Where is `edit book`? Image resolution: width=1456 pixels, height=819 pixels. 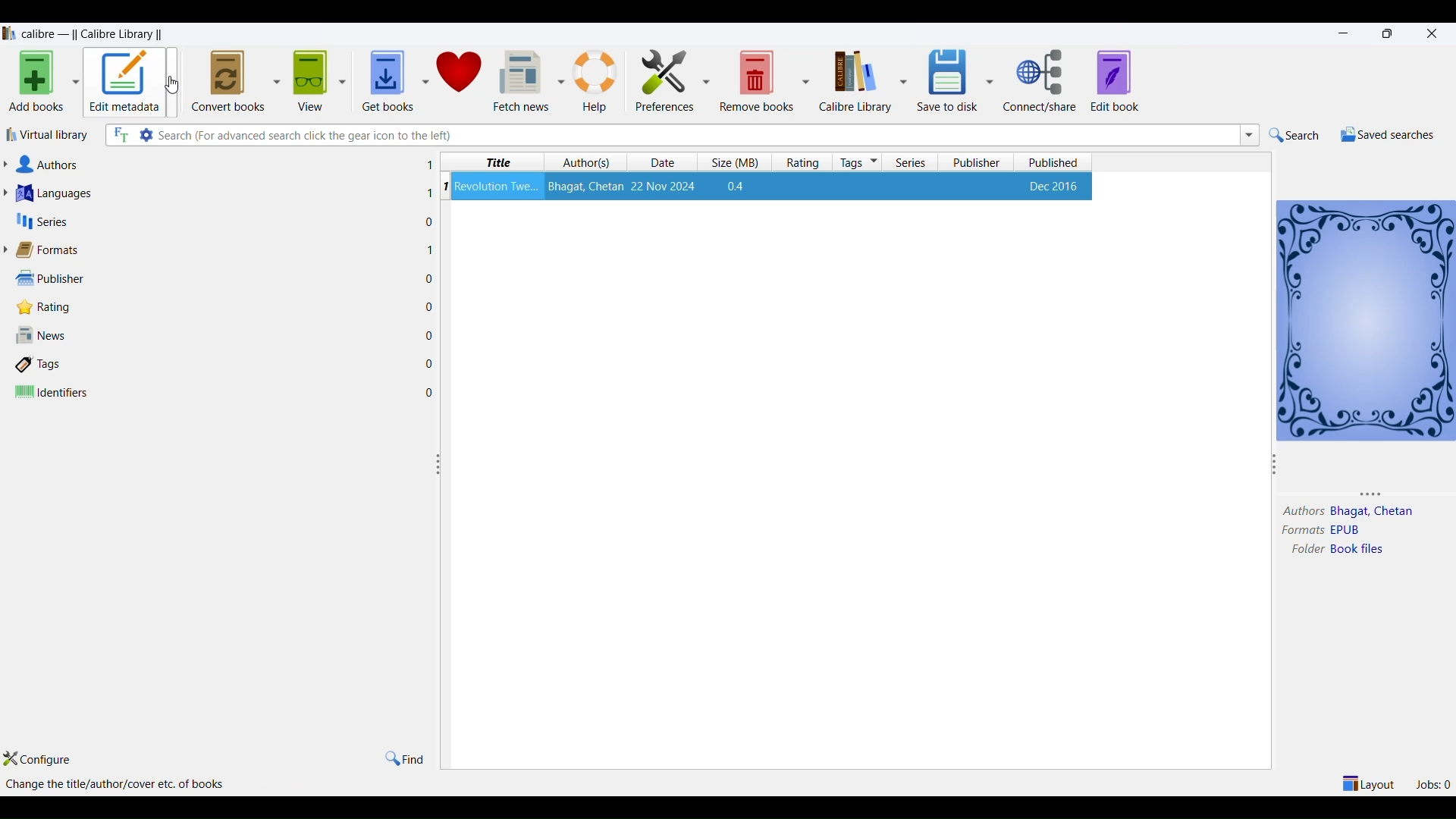 edit book is located at coordinates (1121, 80).